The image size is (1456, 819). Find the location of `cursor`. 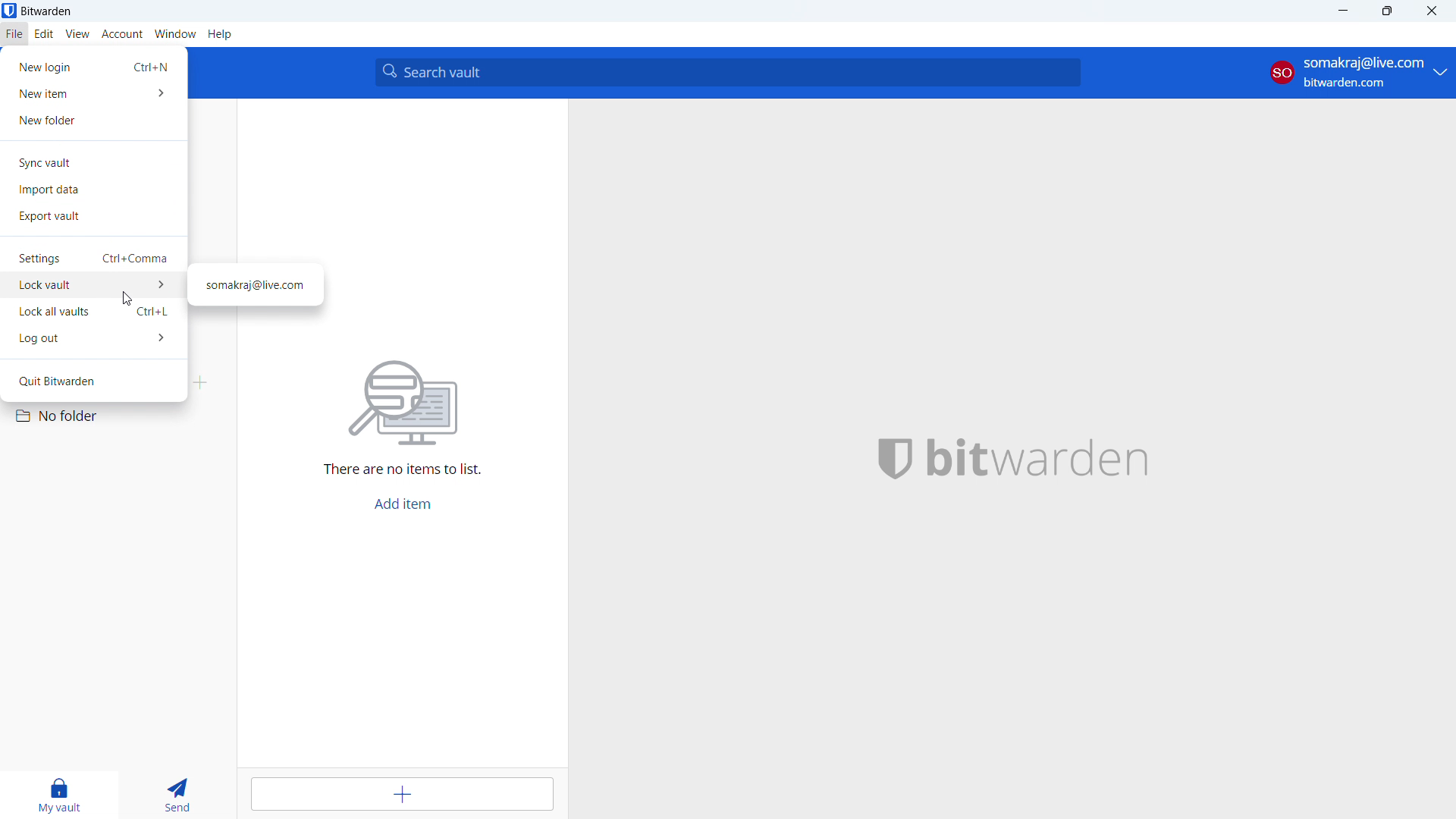

cursor is located at coordinates (130, 299).